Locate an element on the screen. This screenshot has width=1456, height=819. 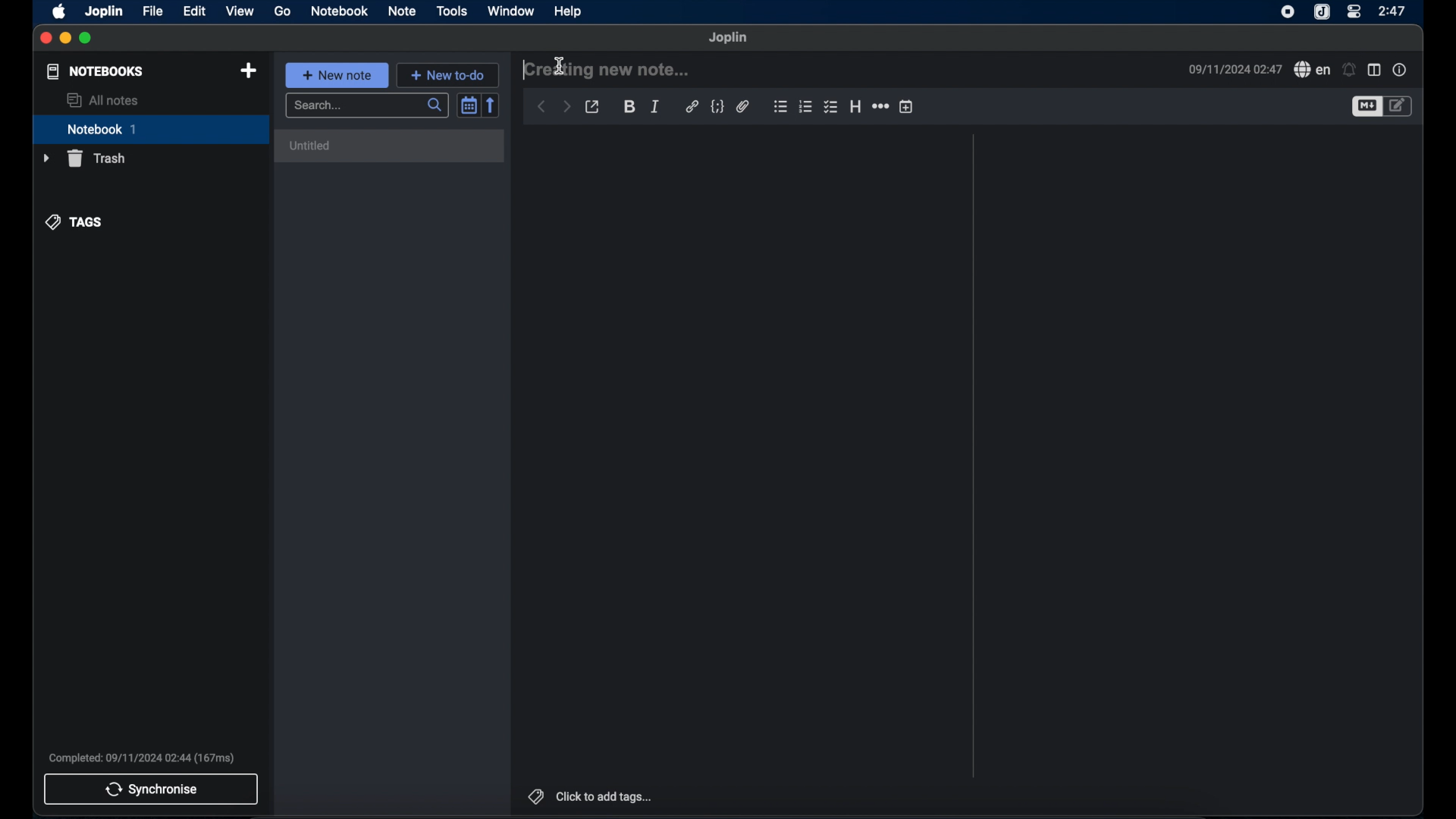
view is located at coordinates (241, 11).